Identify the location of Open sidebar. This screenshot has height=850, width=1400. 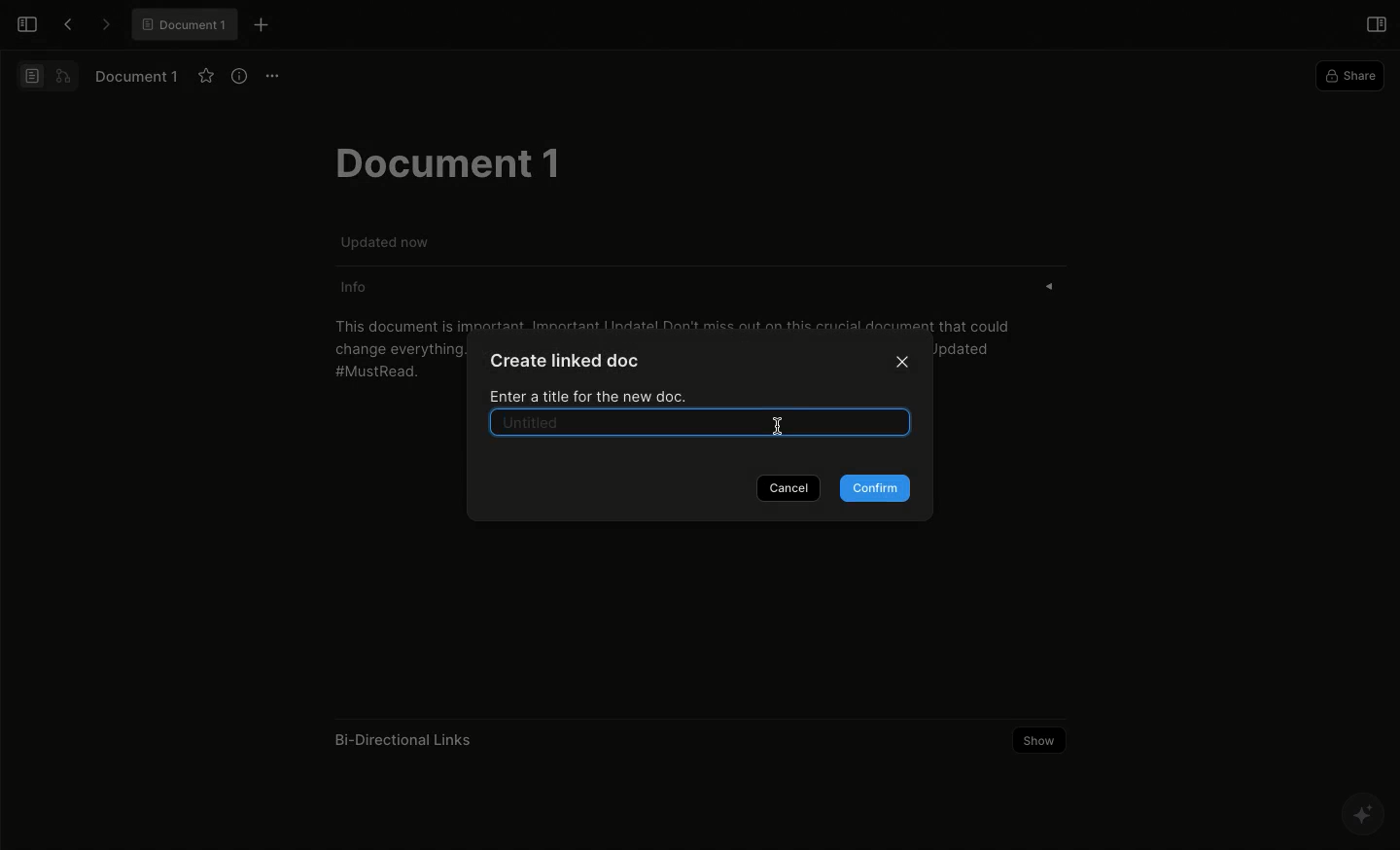
(27, 25).